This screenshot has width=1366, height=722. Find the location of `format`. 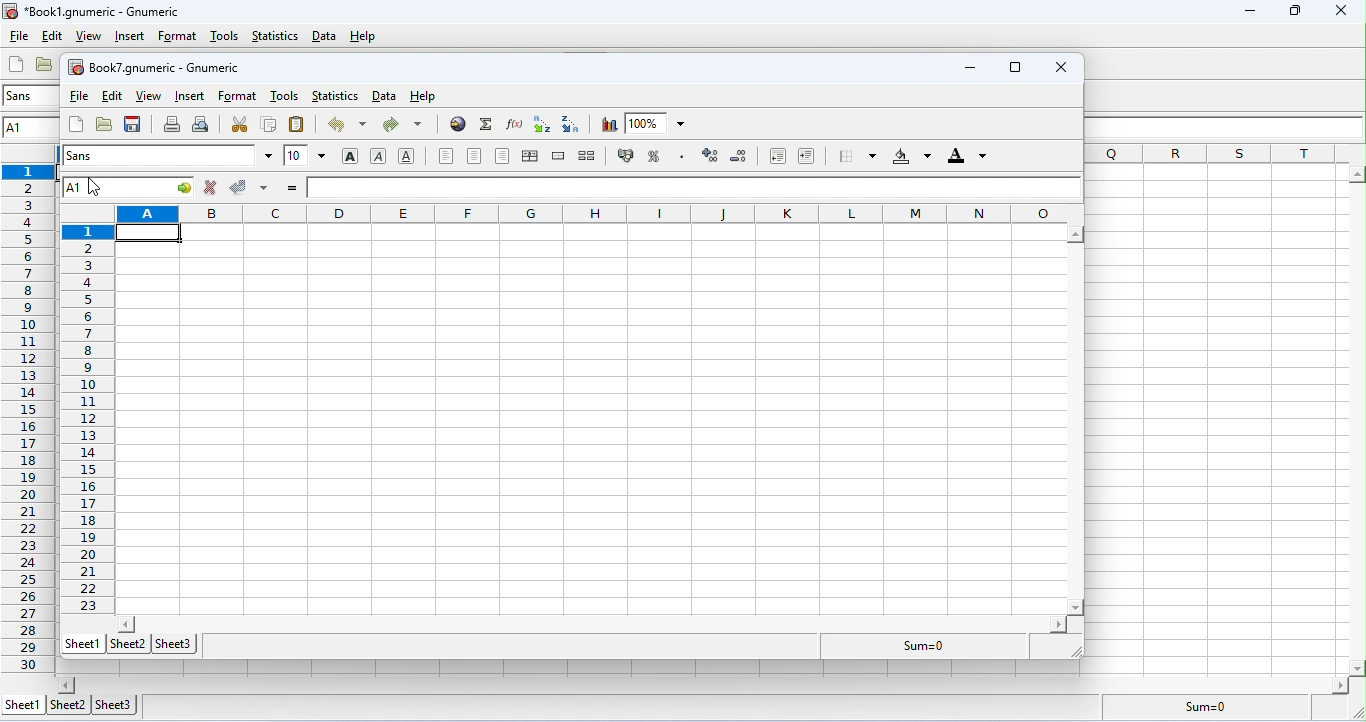

format is located at coordinates (177, 37).